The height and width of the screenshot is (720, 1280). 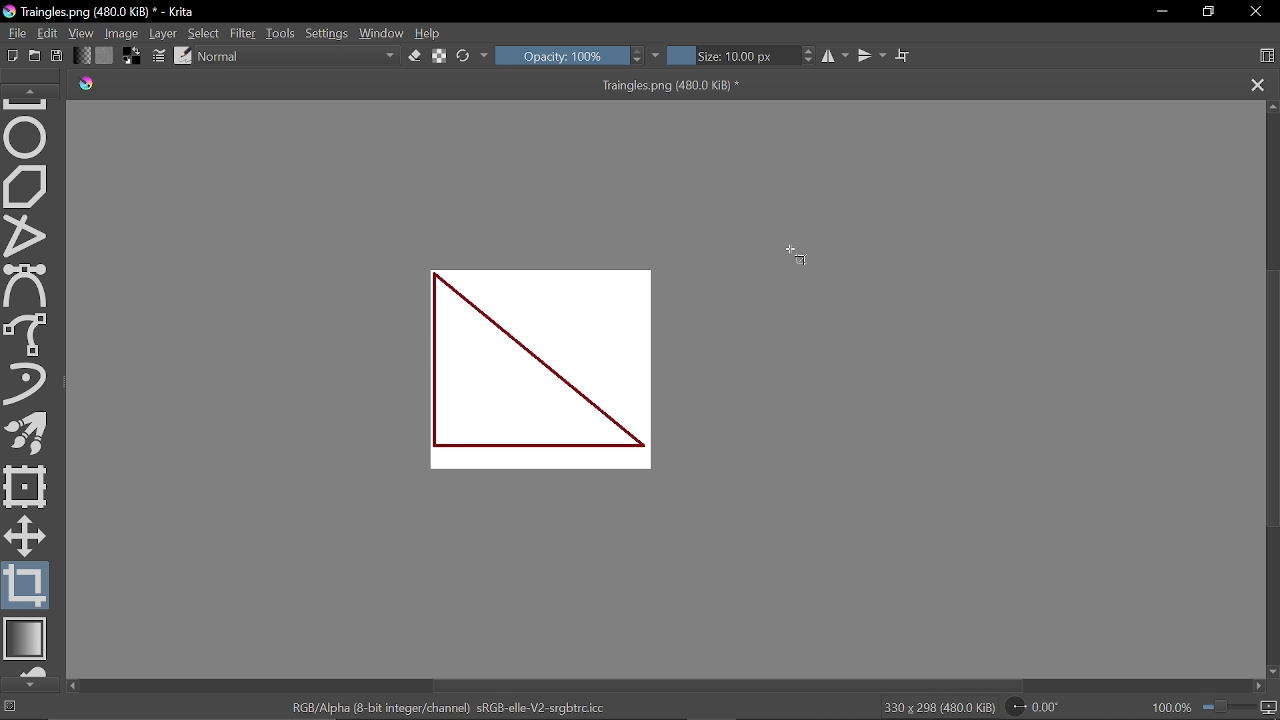 What do you see at coordinates (281, 33) in the screenshot?
I see `Tools` at bounding box center [281, 33].